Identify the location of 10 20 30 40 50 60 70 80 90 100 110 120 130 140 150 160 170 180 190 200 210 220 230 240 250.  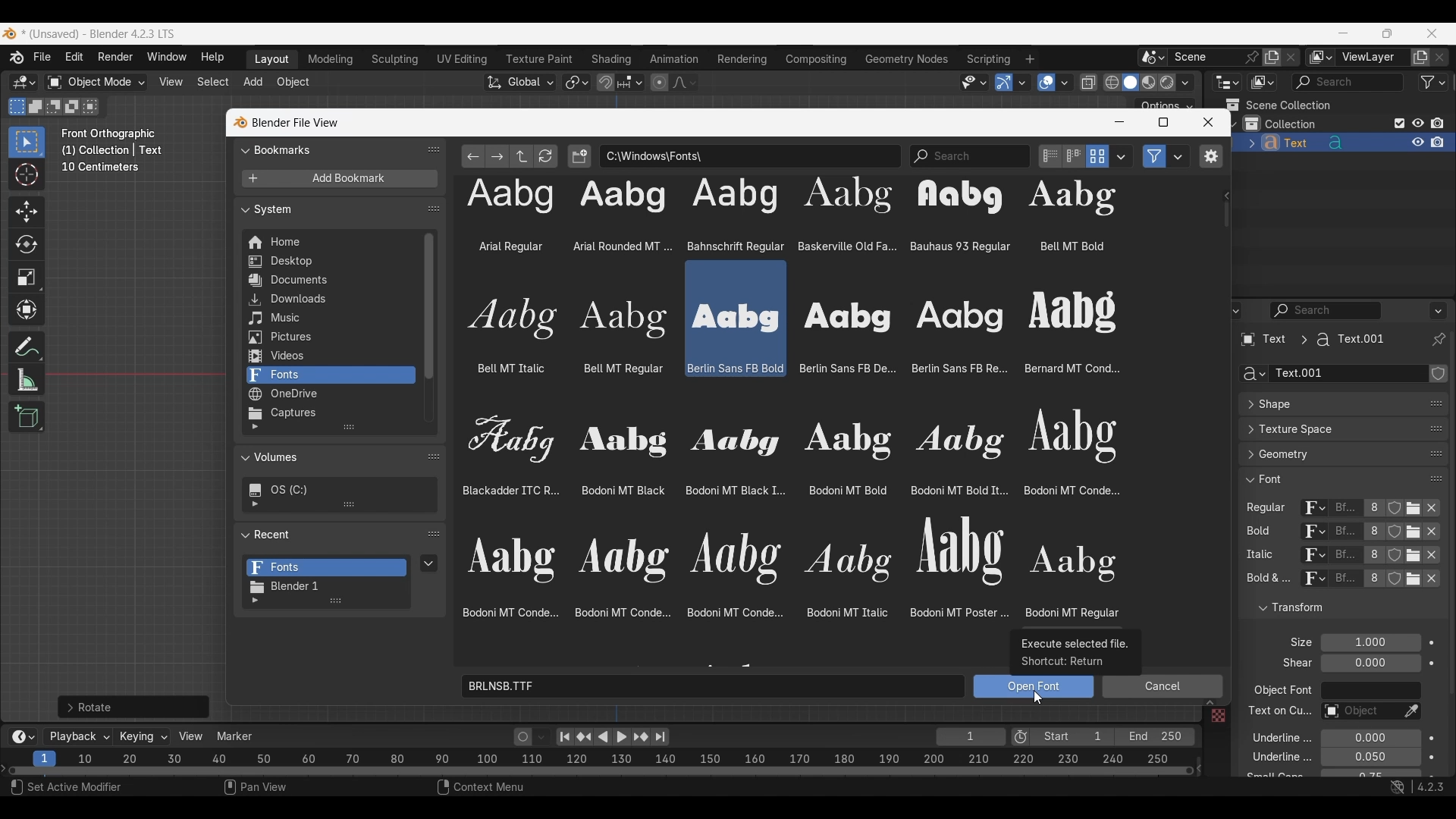
(627, 757).